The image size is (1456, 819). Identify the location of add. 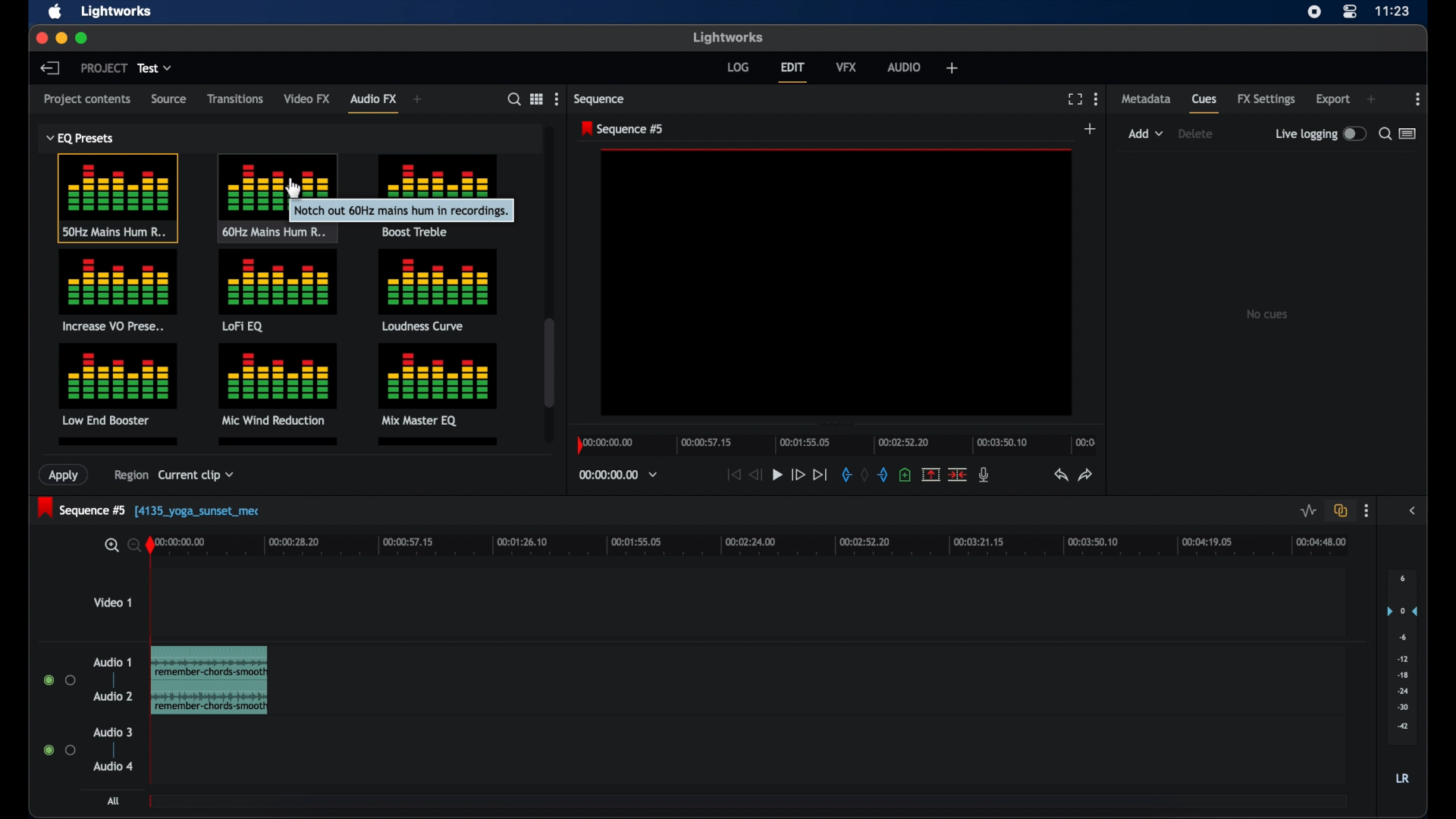
(1371, 99).